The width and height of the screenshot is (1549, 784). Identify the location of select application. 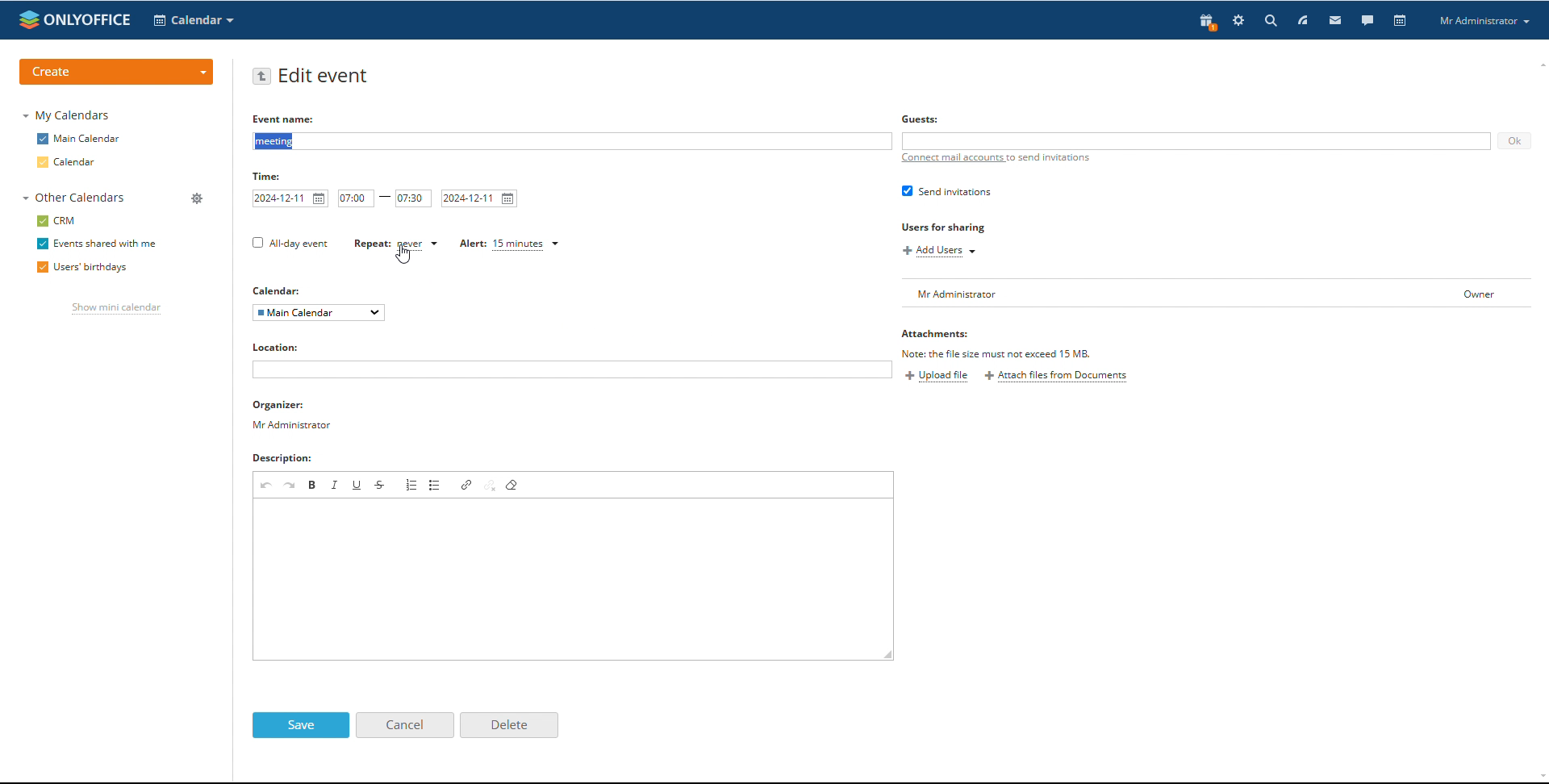
(194, 21).